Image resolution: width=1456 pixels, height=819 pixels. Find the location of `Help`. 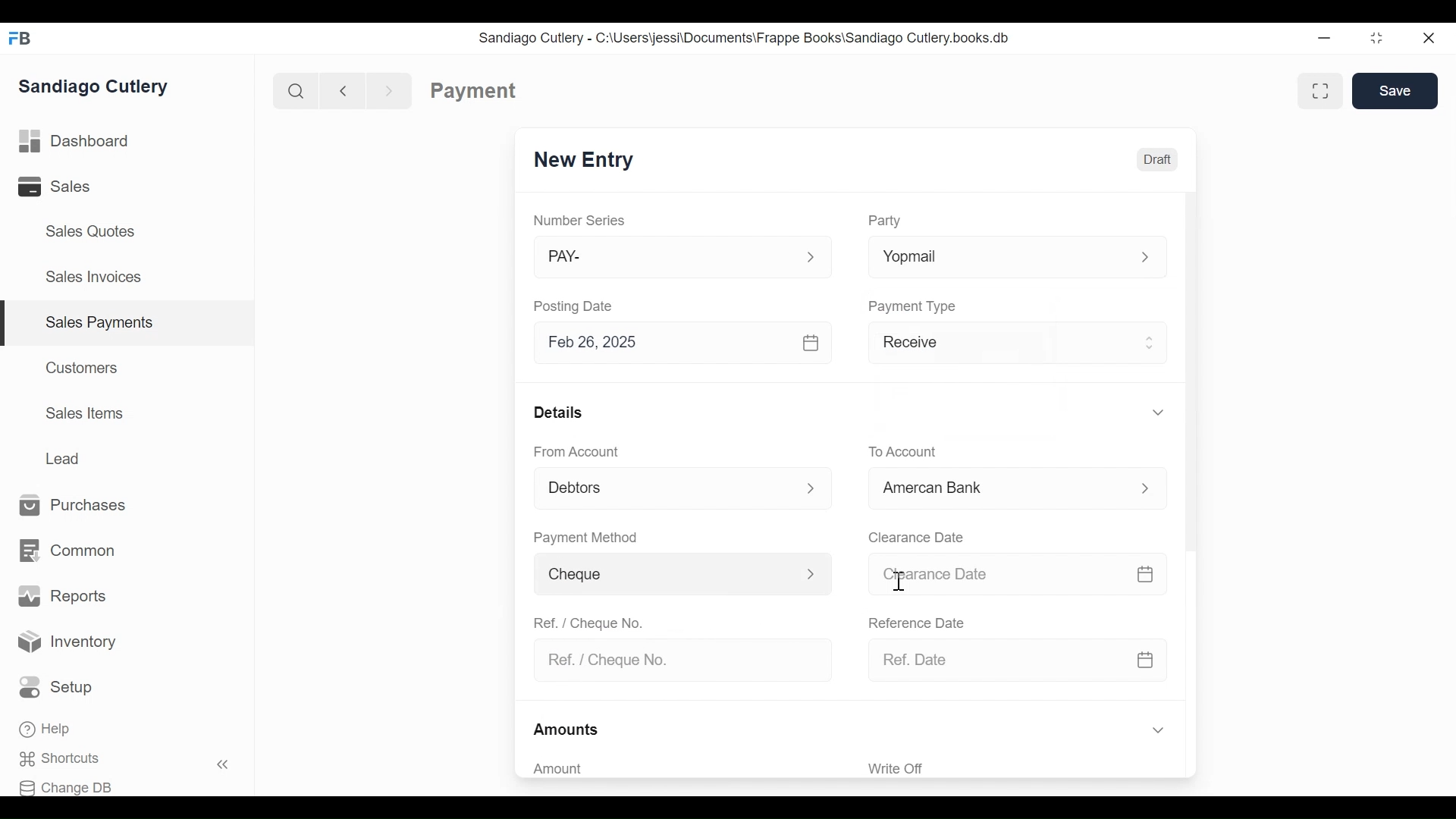

Help is located at coordinates (47, 730).